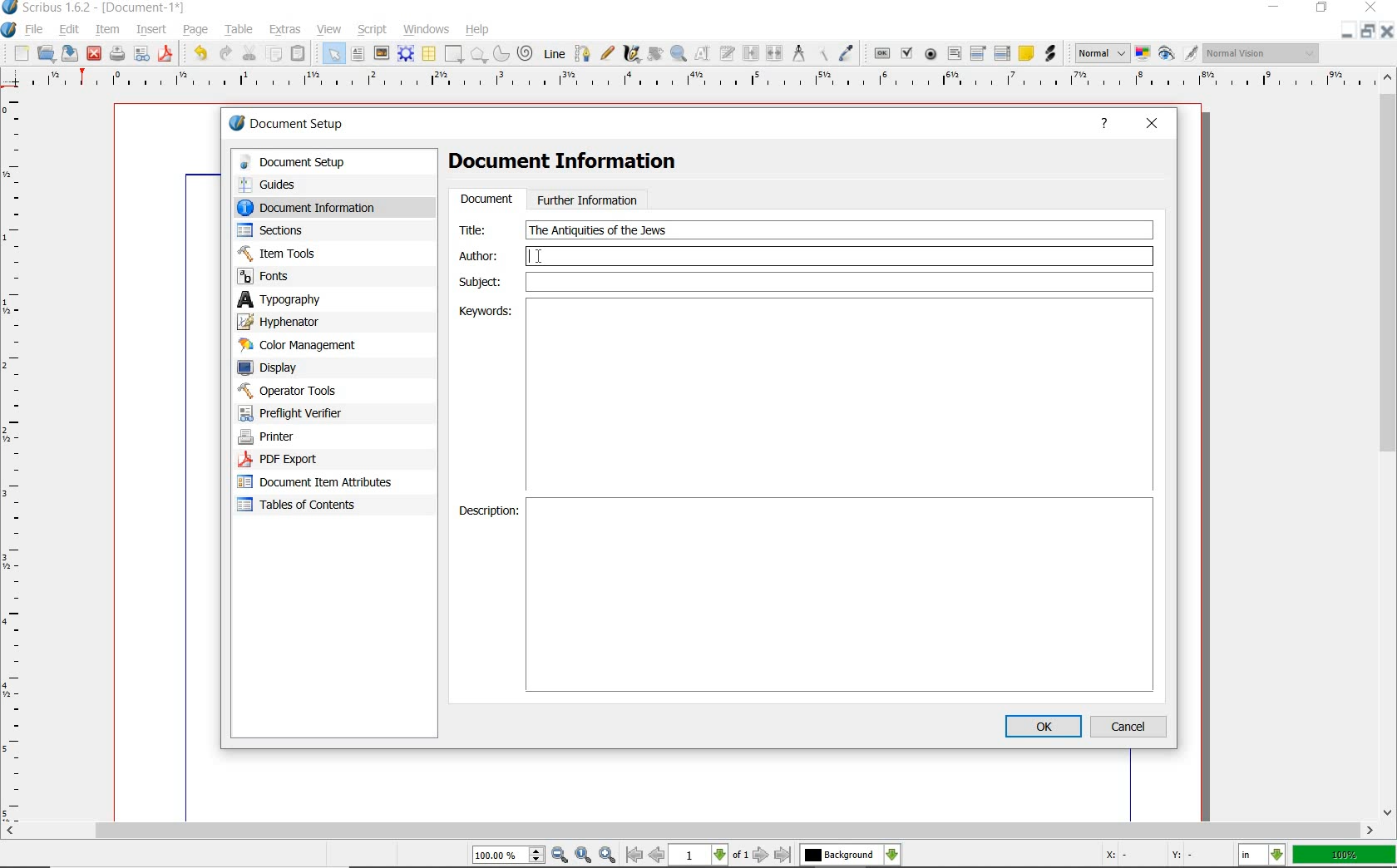 This screenshot has width=1397, height=868. Describe the element at coordinates (979, 54) in the screenshot. I see `pdf combo box` at that location.